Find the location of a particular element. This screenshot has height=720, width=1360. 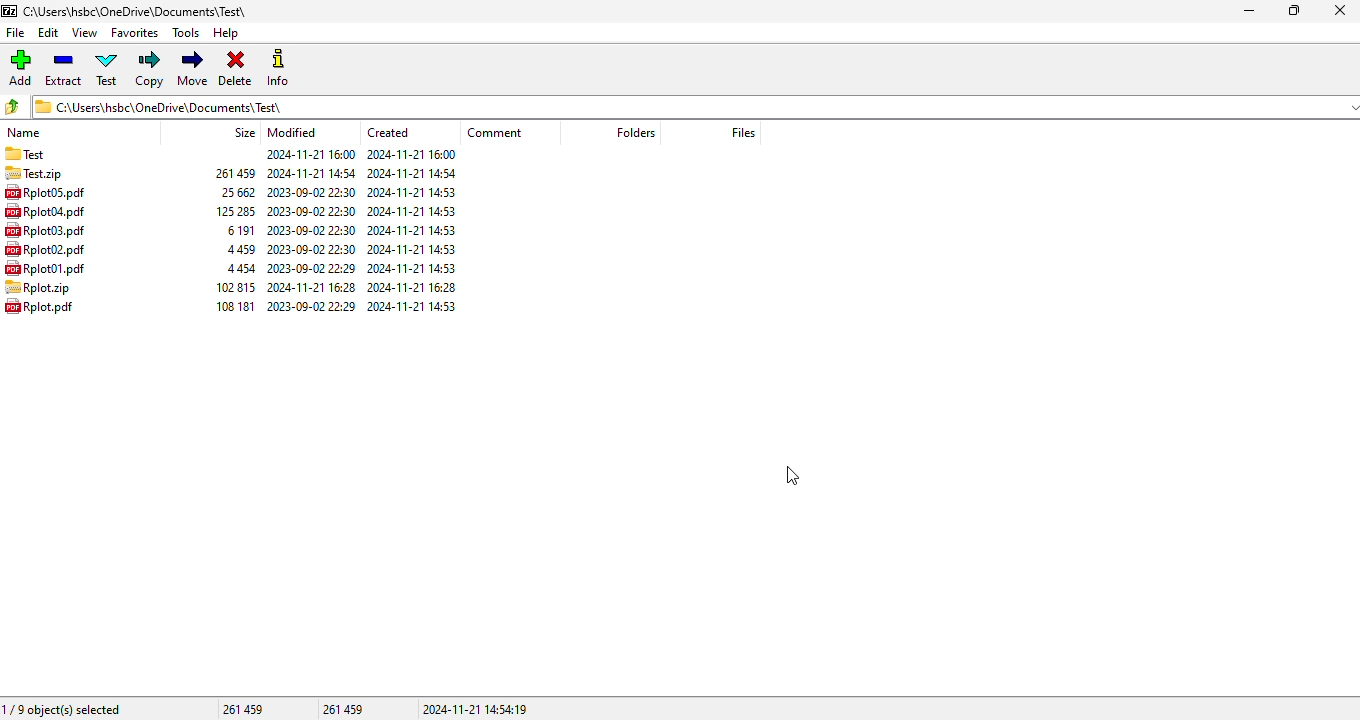

maximize is located at coordinates (1292, 10).